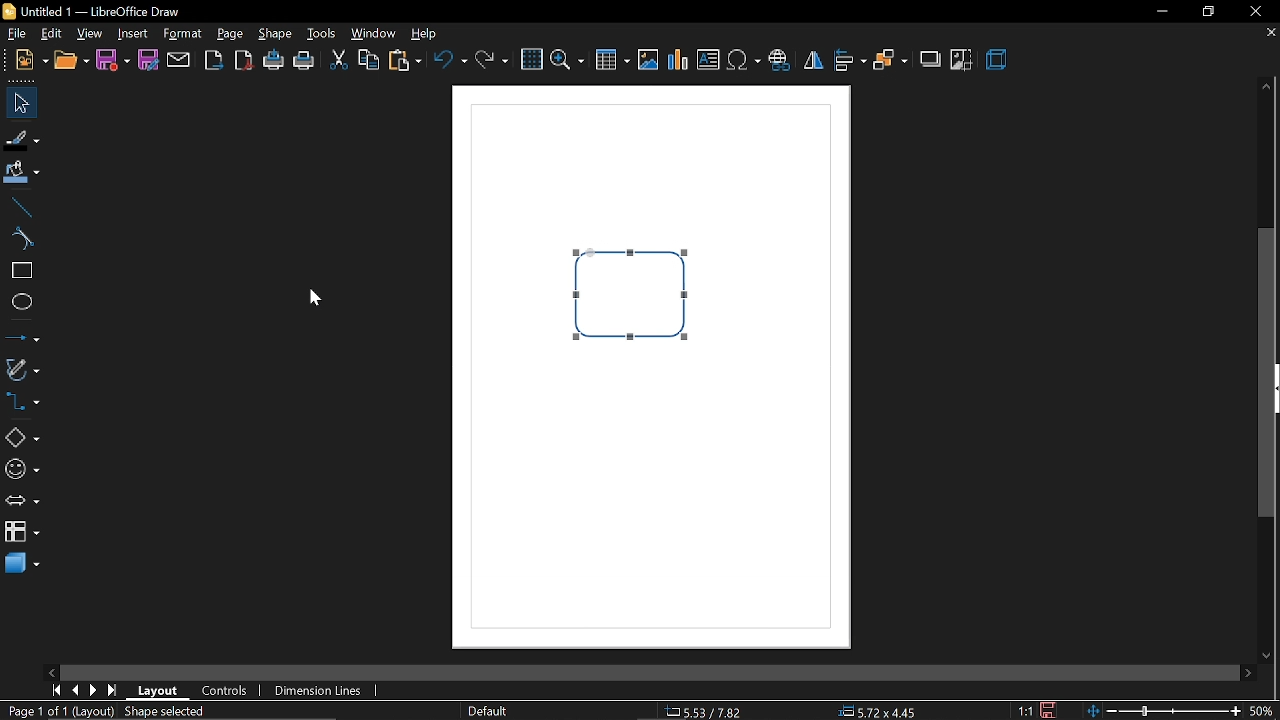 The width and height of the screenshot is (1280, 720). Describe the element at coordinates (374, 32) in the screenshot. I see `window` at that location.